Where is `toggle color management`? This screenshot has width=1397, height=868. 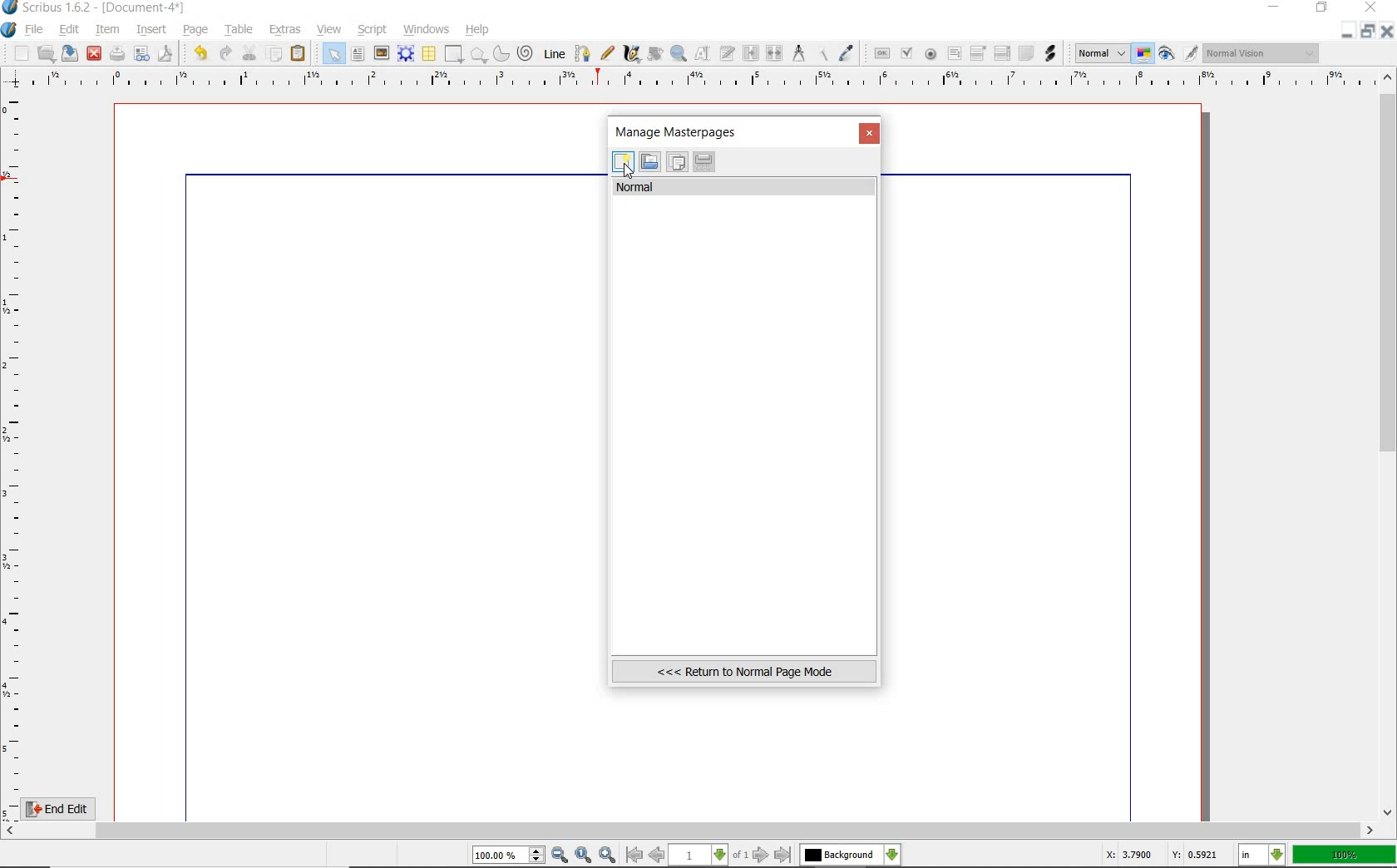
toggle color management is located at coordinates (1144, 55).